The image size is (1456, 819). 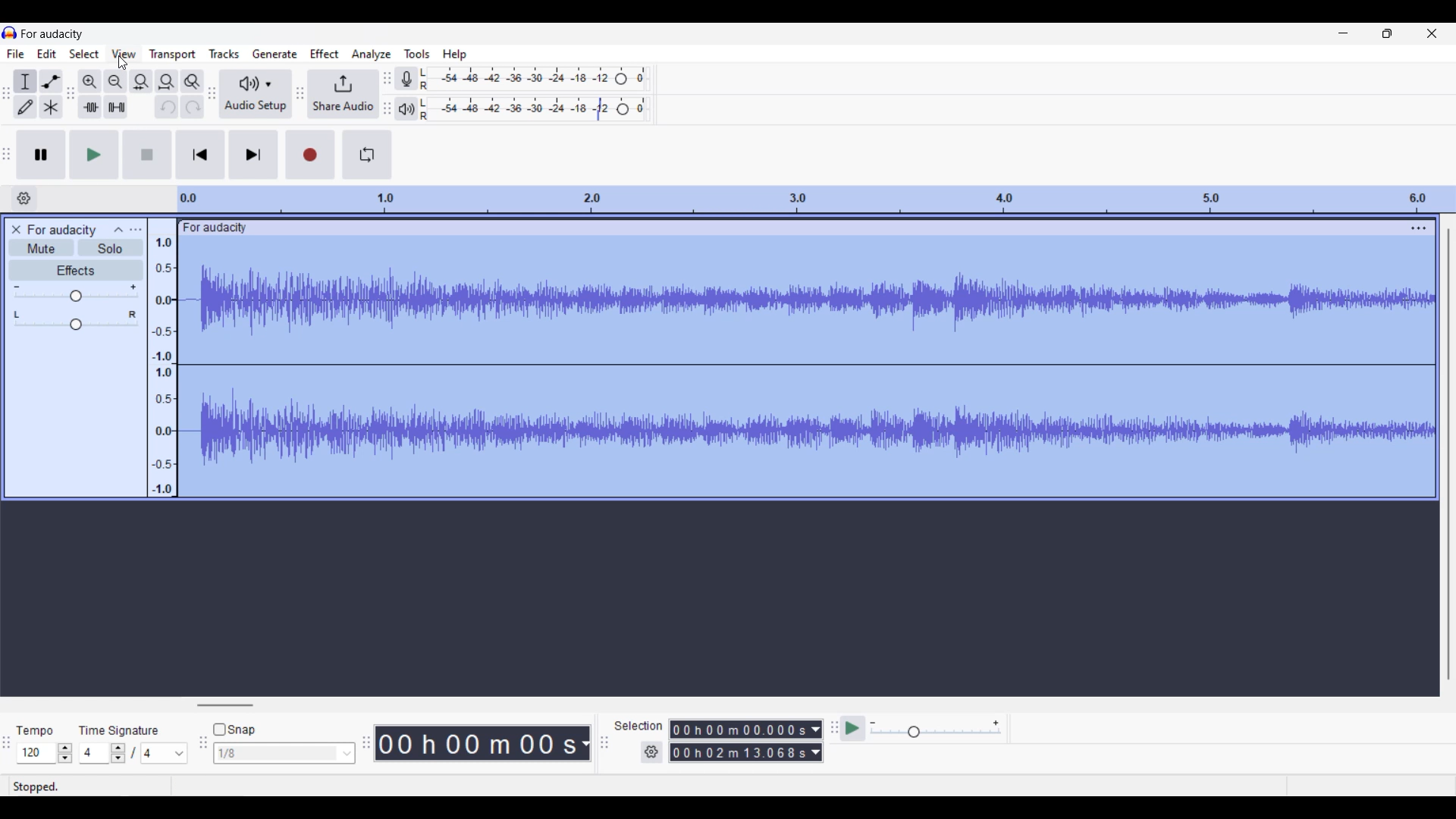 I want to click on Current track, so click(x=791, y=369).